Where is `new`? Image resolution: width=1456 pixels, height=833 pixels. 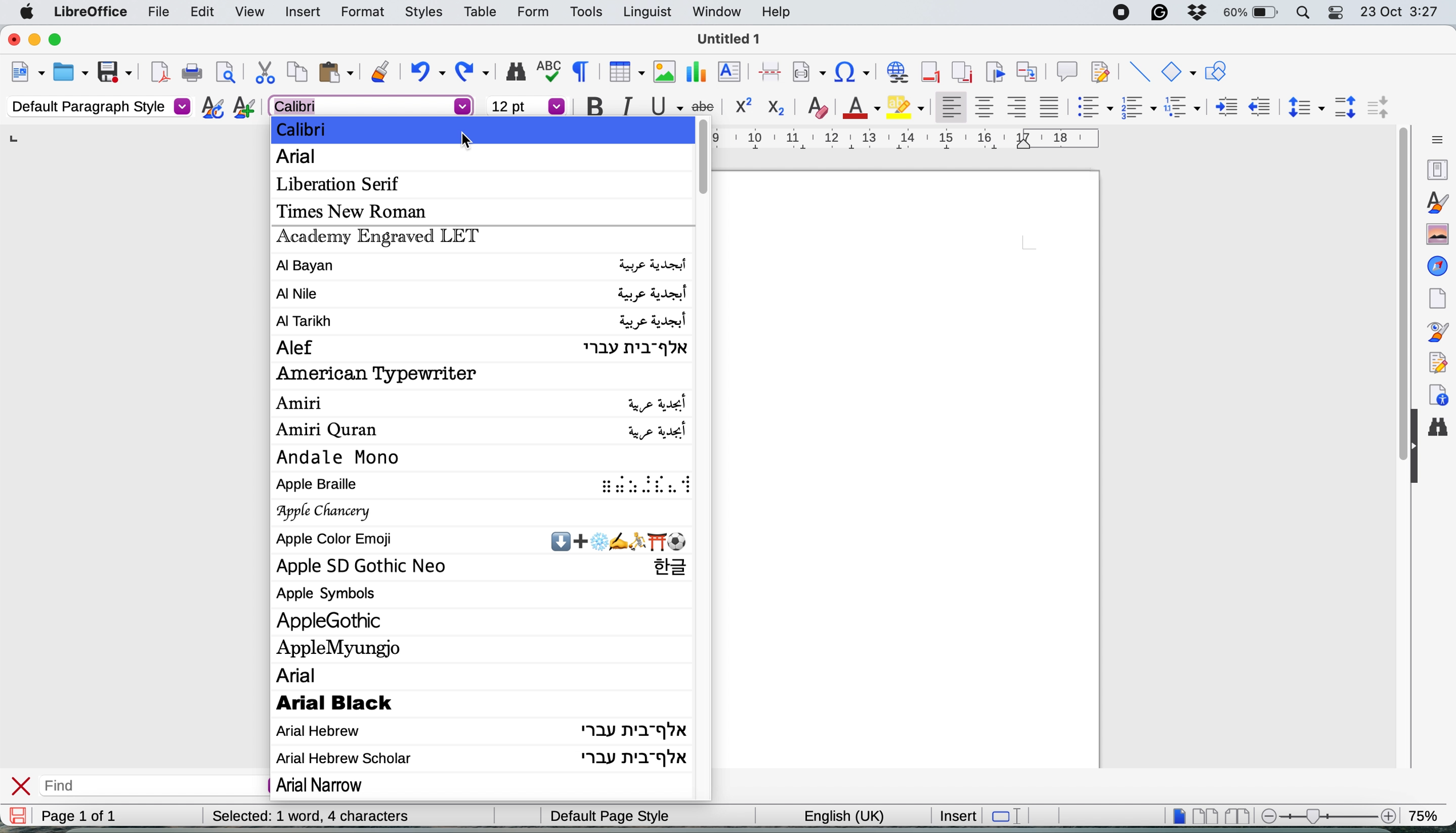
new is located at coordinates (27, 73).